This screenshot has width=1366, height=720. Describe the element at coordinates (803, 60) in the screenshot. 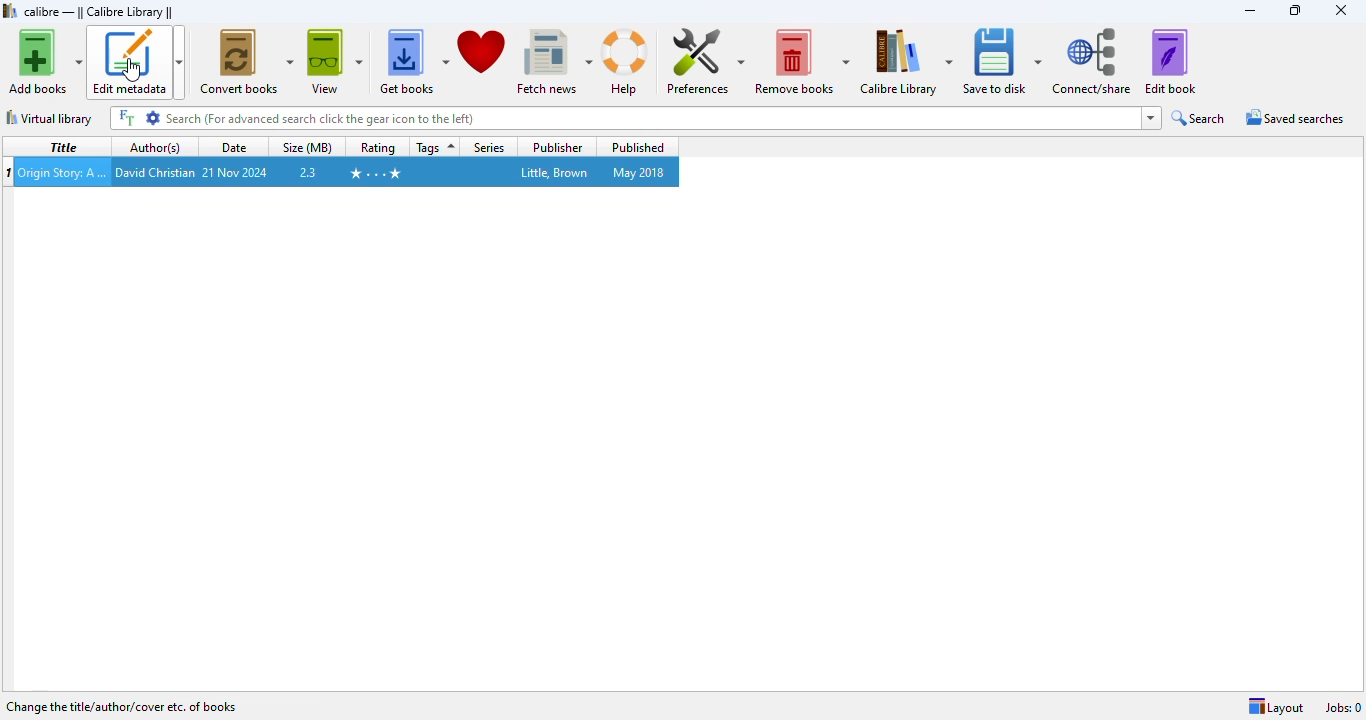

I see `remove books` at that location.